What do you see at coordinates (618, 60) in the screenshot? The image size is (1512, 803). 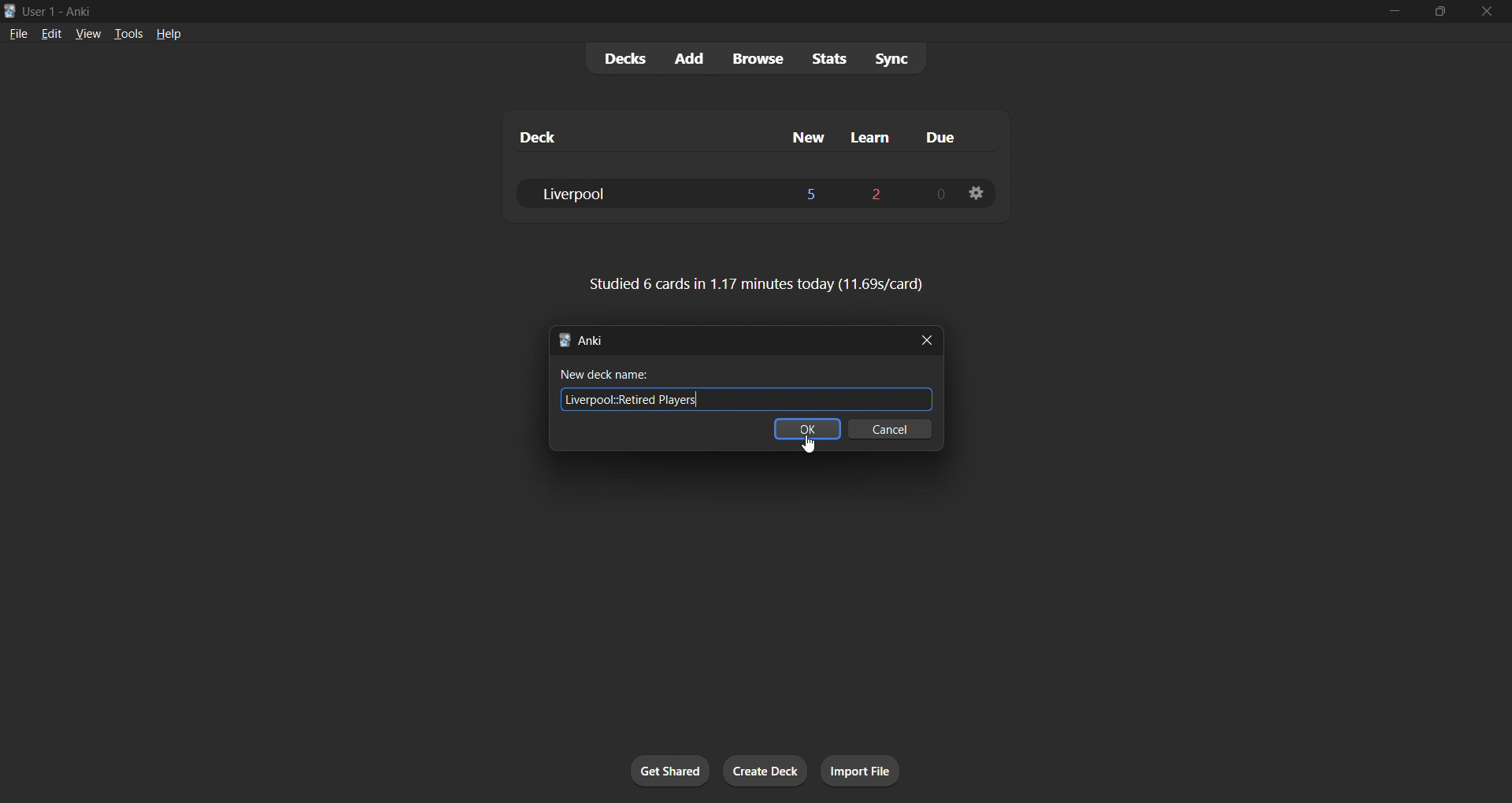 I see `decks` at bounding box center [618, 60].